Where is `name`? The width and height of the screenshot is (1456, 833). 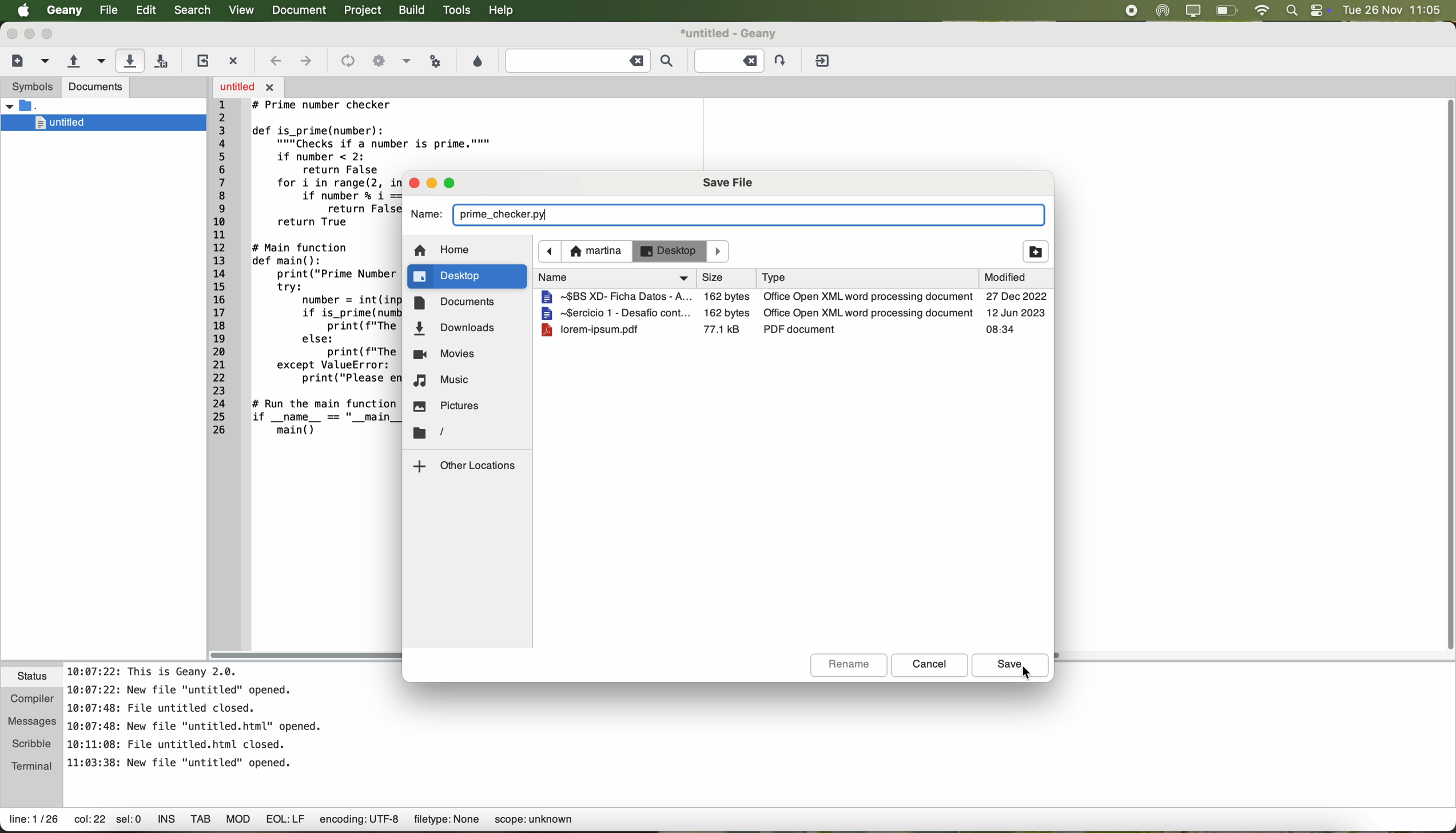
name is located at coordinates (725, 278).